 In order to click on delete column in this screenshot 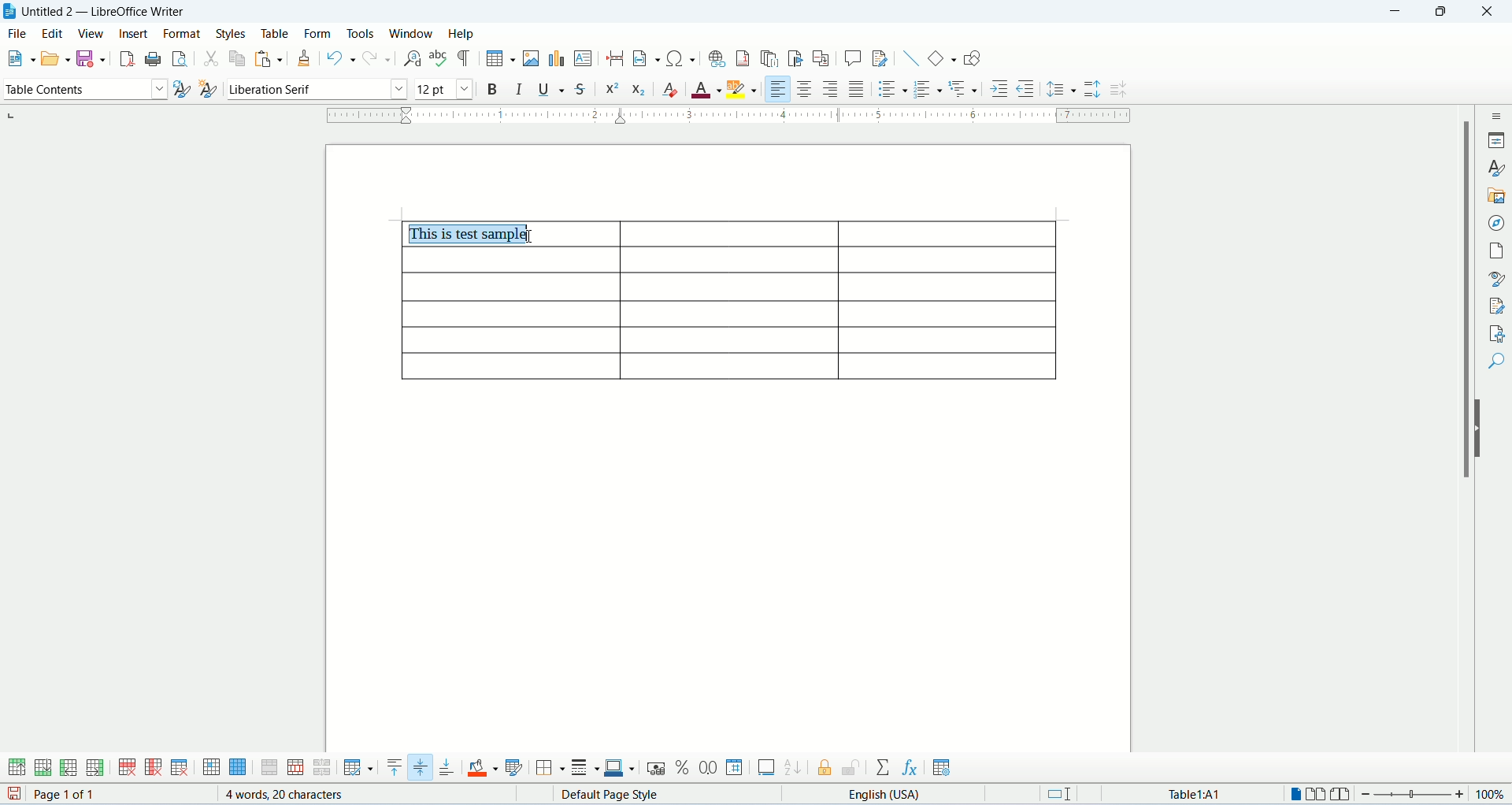, I will do `click(154, 769)`.